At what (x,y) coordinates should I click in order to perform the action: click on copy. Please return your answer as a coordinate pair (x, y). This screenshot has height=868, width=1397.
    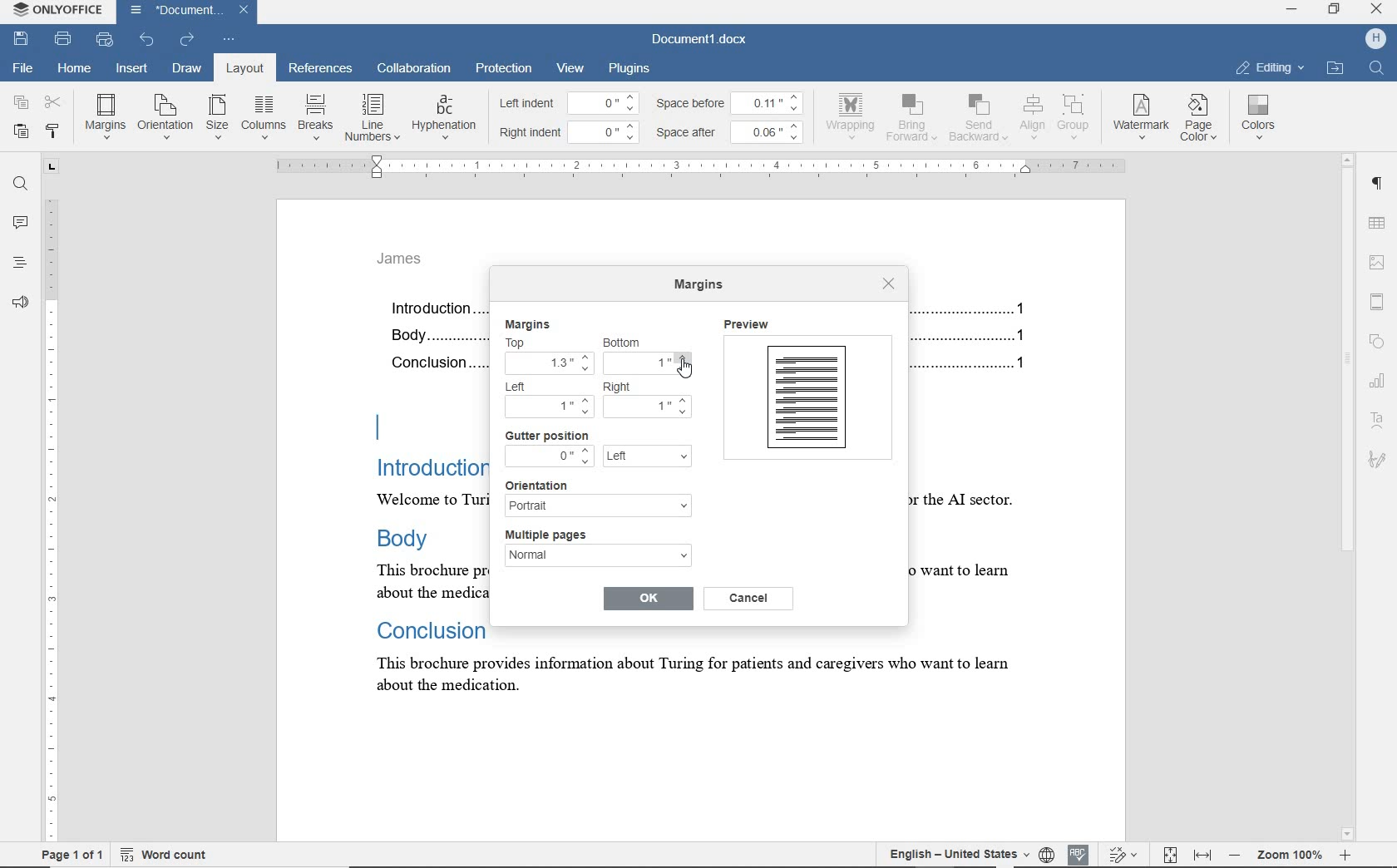
    Looking at the image, I should click on (22, 101).